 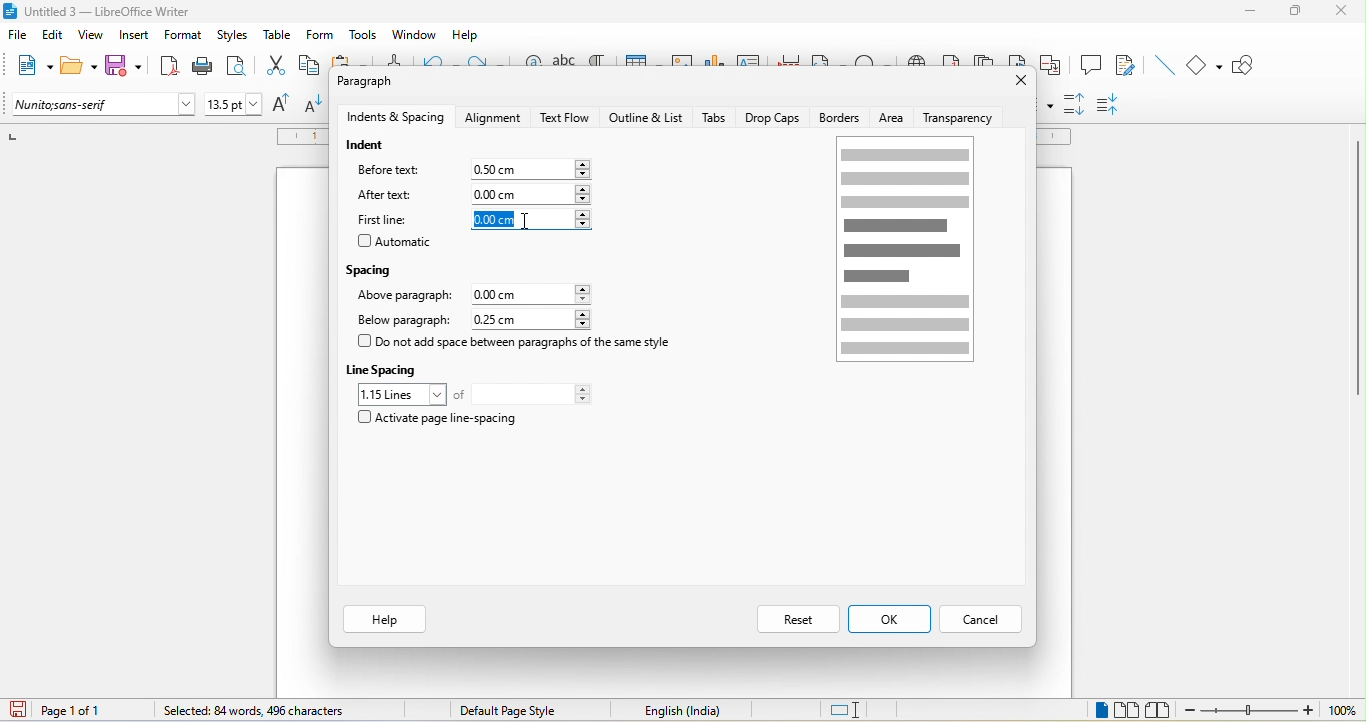 I want to click on multiple page view, so click(x=1127, y=711).